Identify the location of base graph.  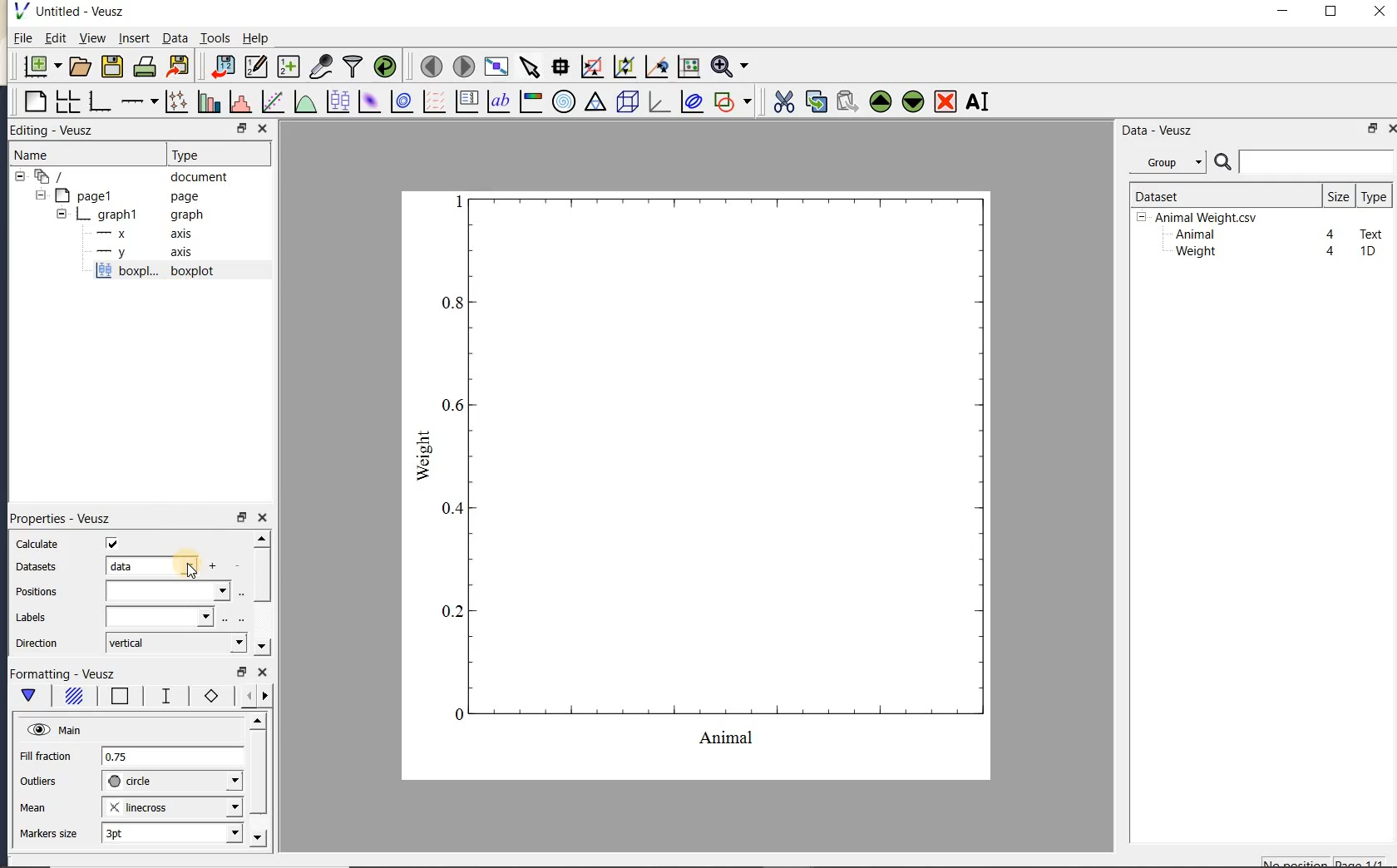
(98, 101).